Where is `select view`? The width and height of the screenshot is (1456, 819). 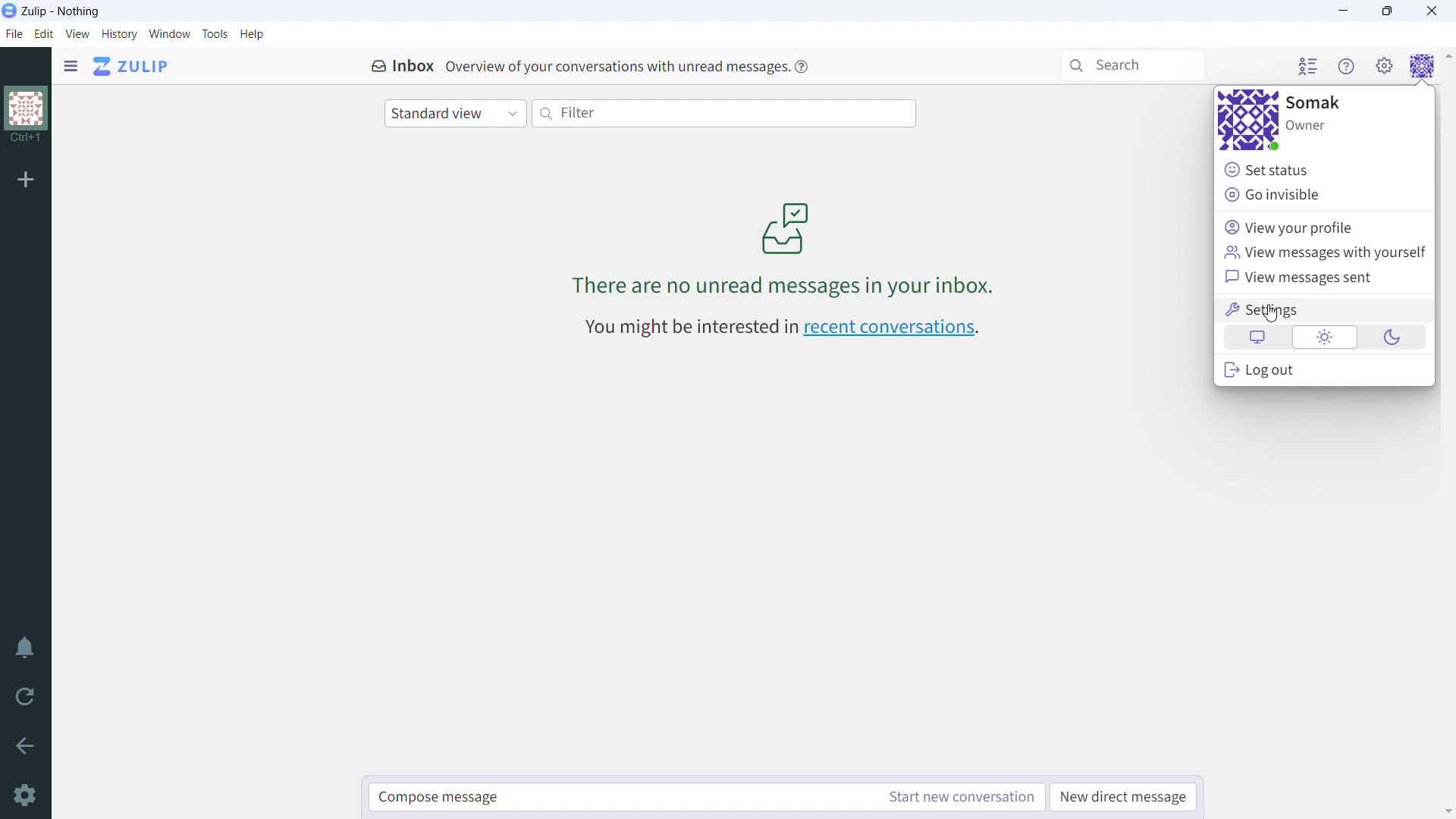
select view is located at coordinates (455, 114).